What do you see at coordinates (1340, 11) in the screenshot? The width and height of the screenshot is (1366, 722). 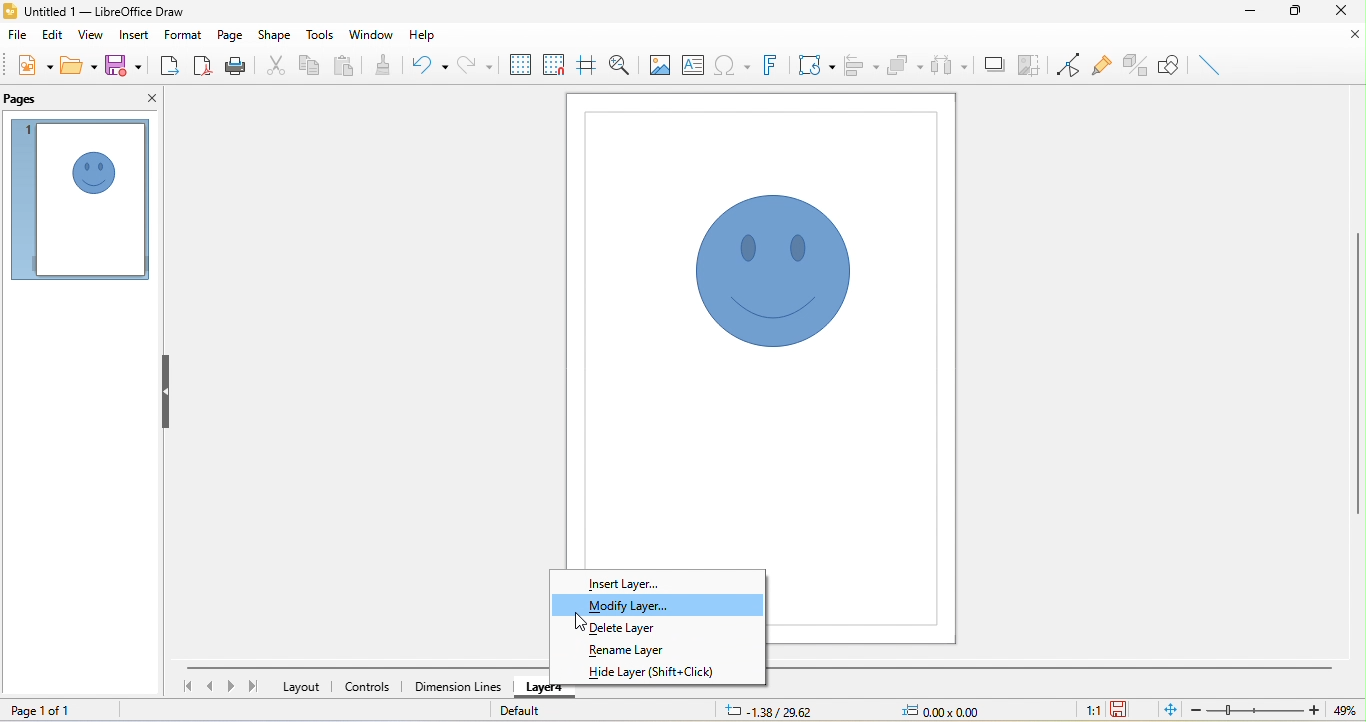 I see `close` at bounding box center [1340, 11].